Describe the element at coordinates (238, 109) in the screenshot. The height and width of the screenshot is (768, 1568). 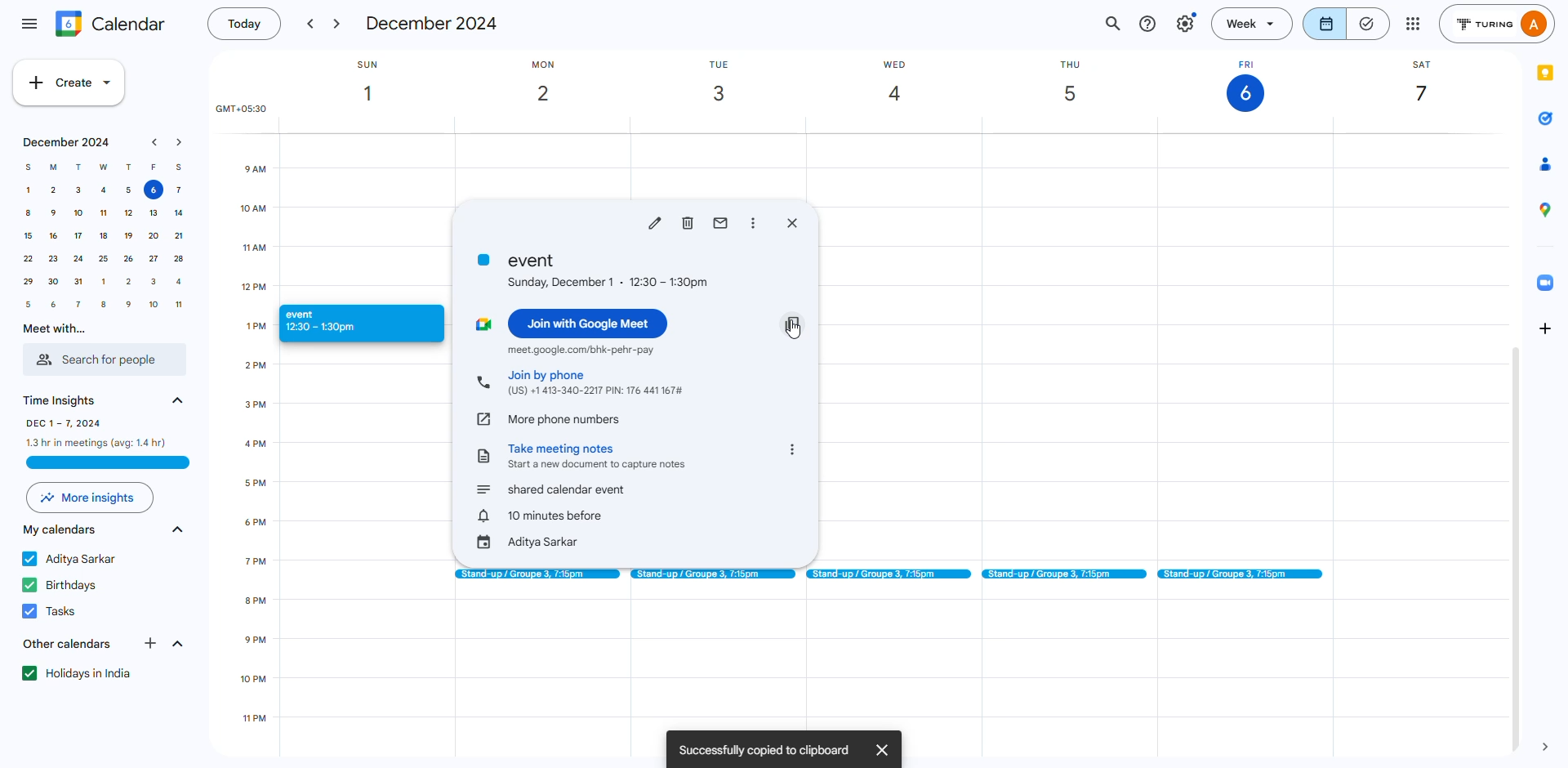
I see `‘GMT+05:30` at that location.